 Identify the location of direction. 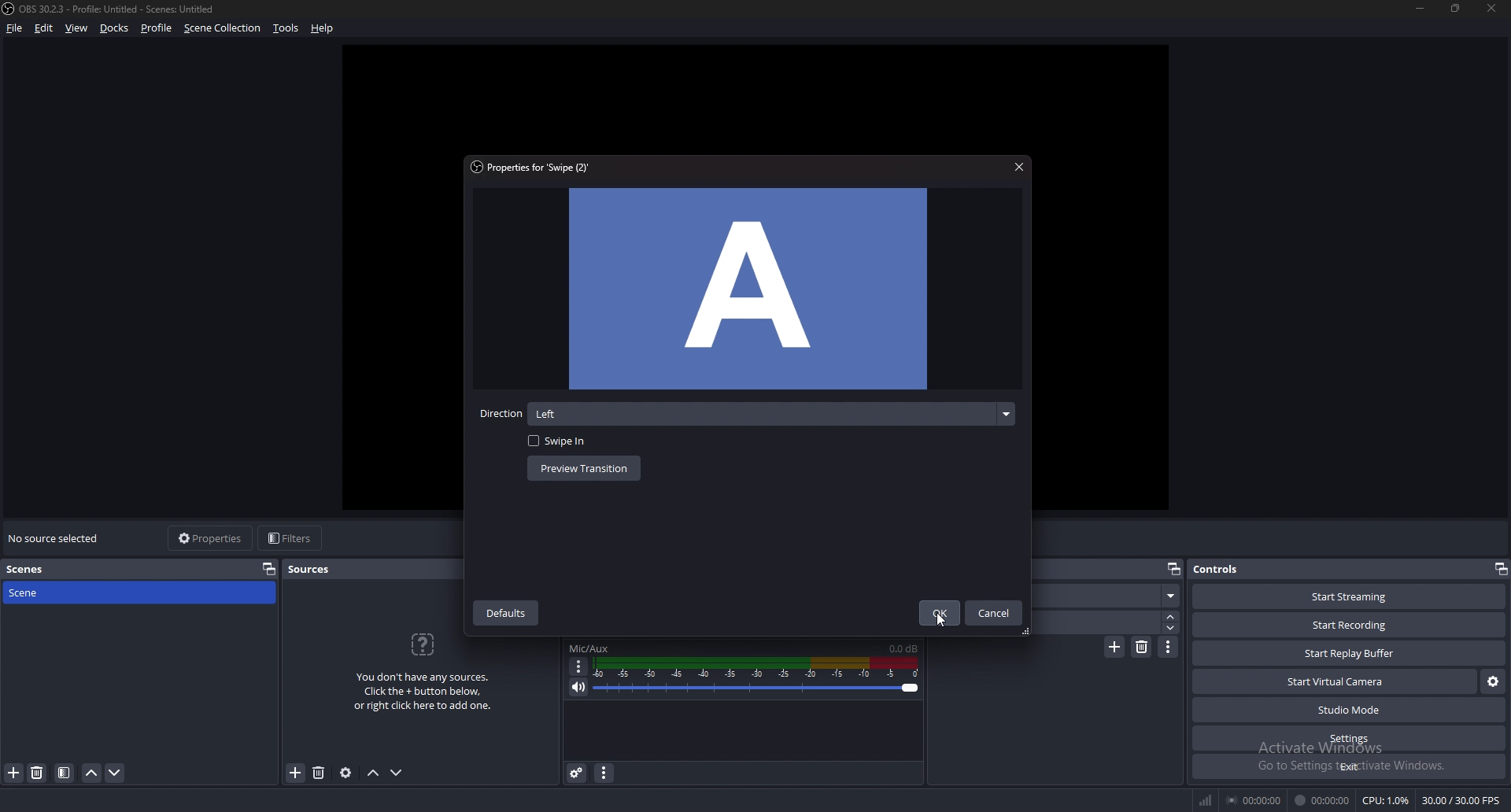
(771, 414).